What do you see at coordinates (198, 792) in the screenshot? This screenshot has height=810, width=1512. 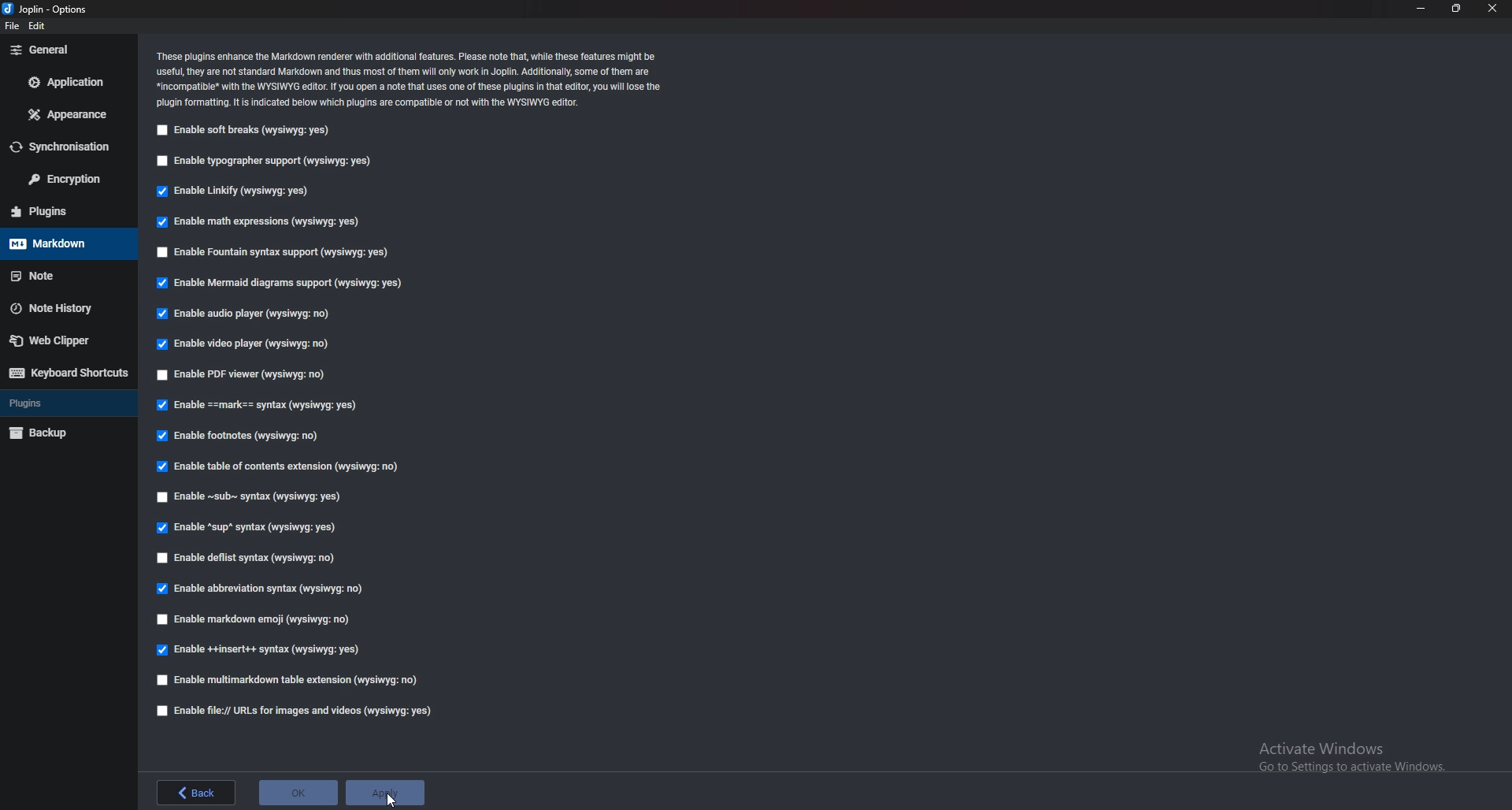 I see `back` at bounding box center [198, 792].